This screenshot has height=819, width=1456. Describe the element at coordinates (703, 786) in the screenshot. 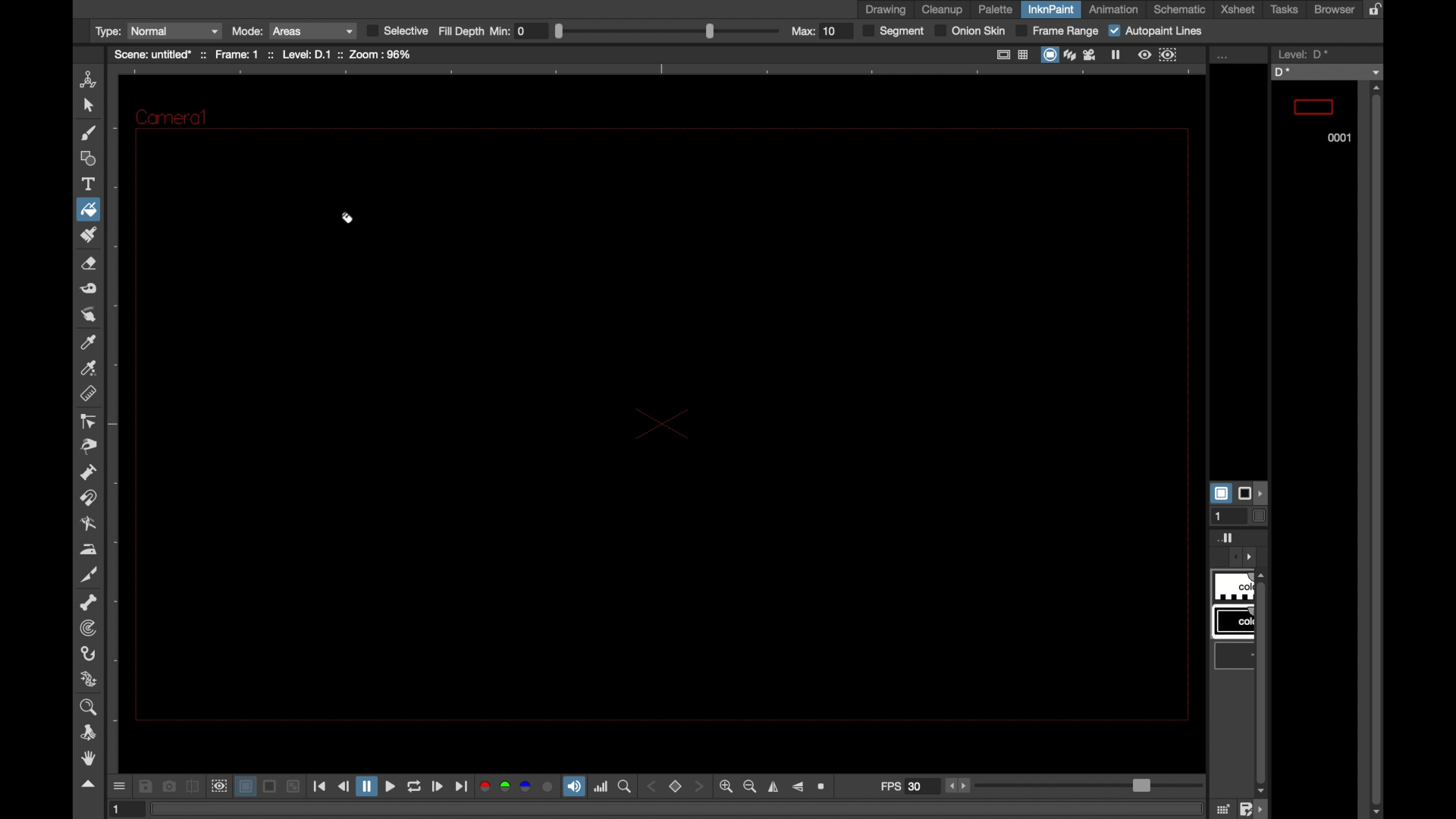

I see `front` at that location.